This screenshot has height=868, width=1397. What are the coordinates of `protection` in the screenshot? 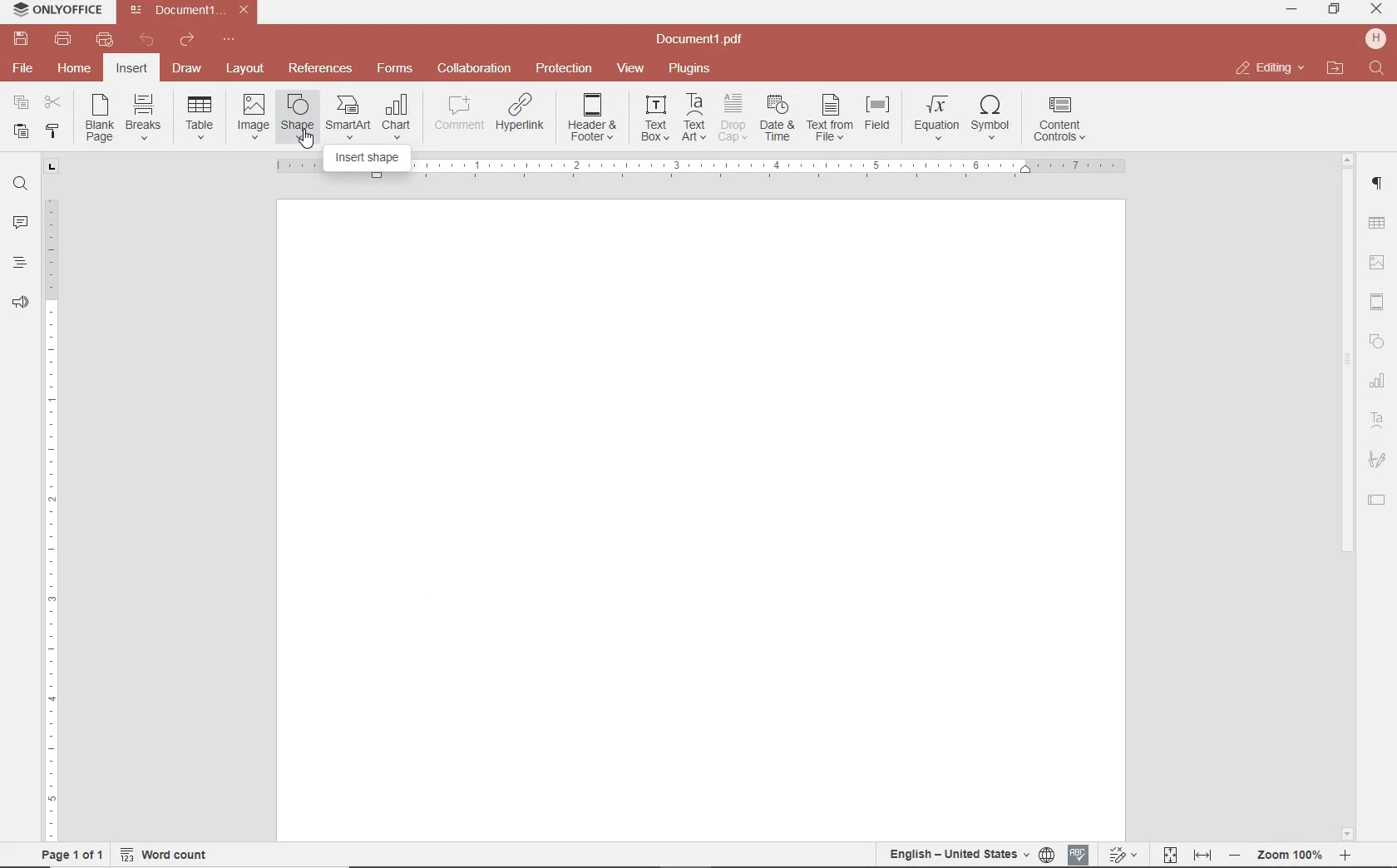 It's located at (565, 69).